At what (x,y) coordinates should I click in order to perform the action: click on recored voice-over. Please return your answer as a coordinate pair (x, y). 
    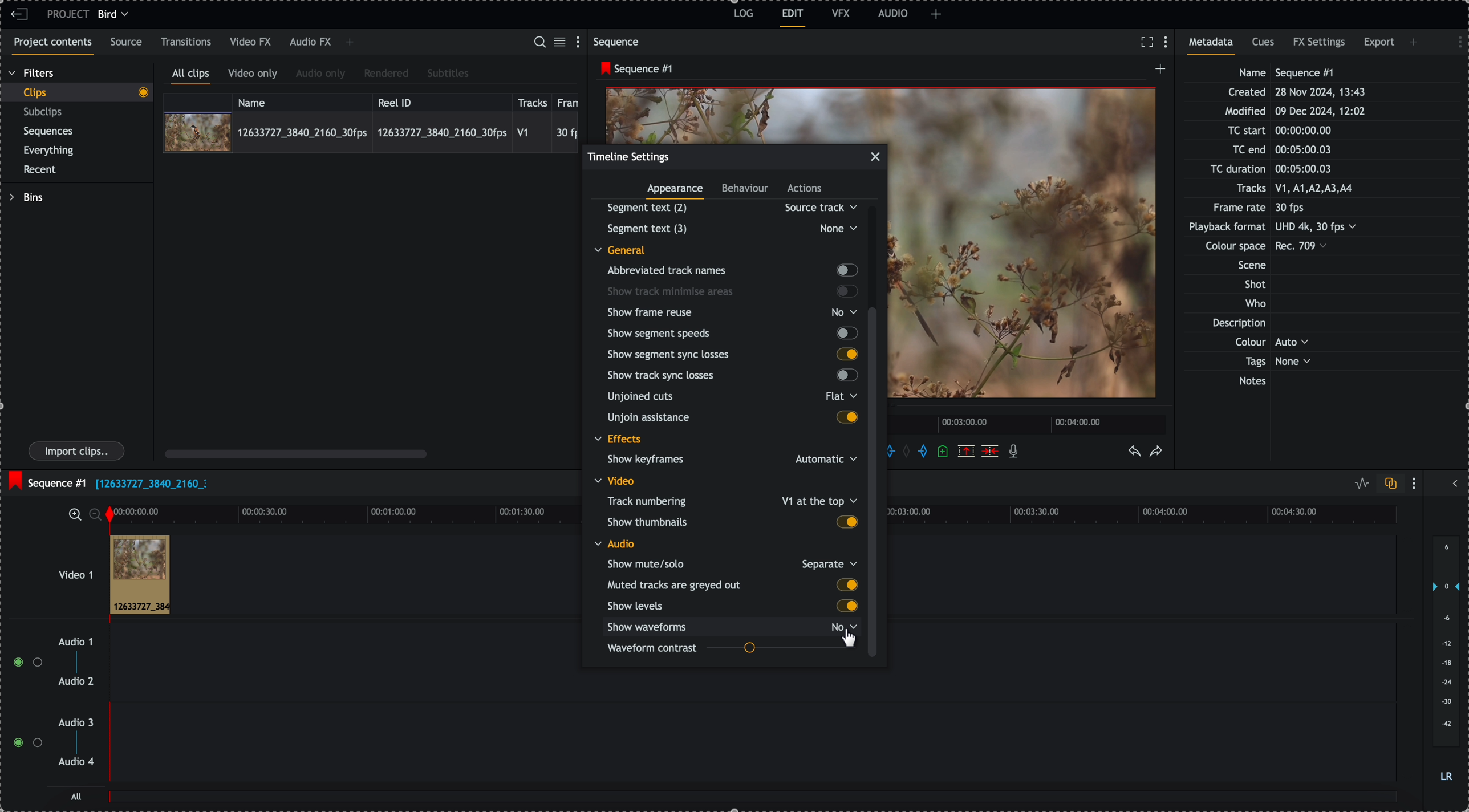
    Looking at the image, I should click on (1016, 452).